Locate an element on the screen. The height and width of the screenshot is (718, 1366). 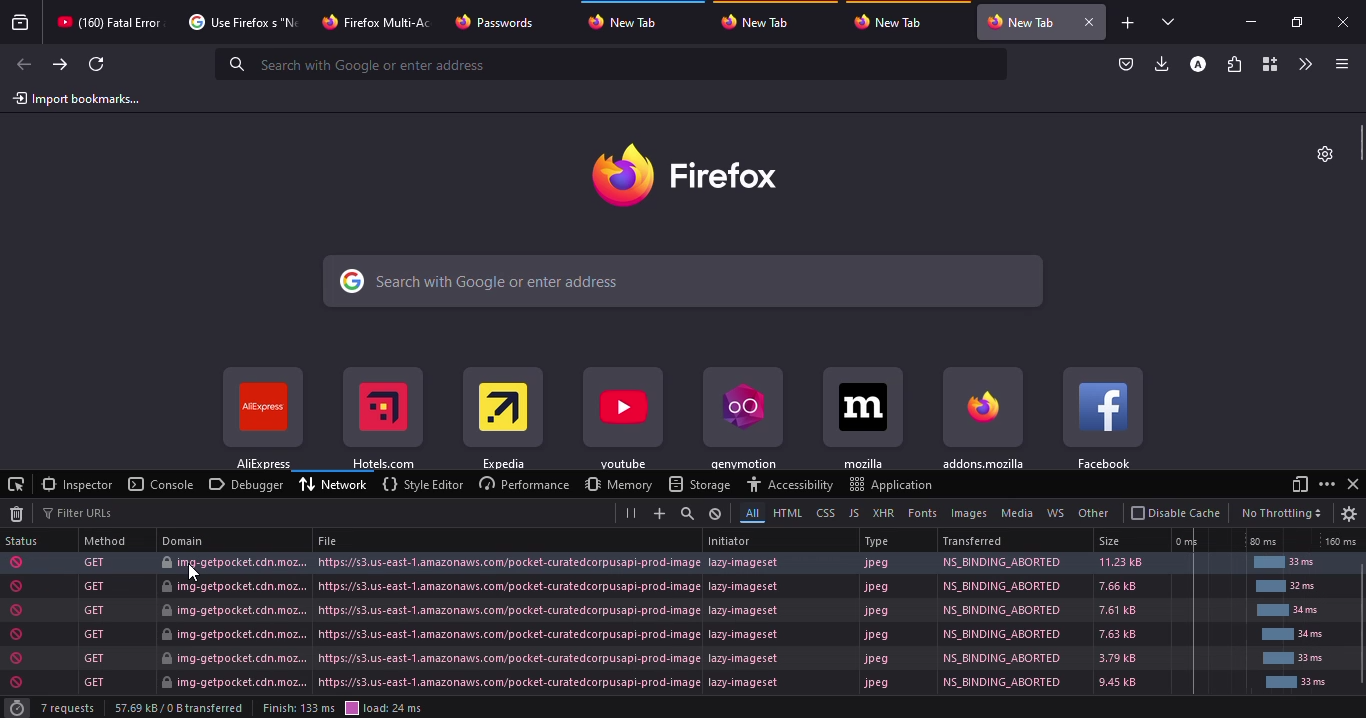
shortcuts is located at coordinates (624, 420).